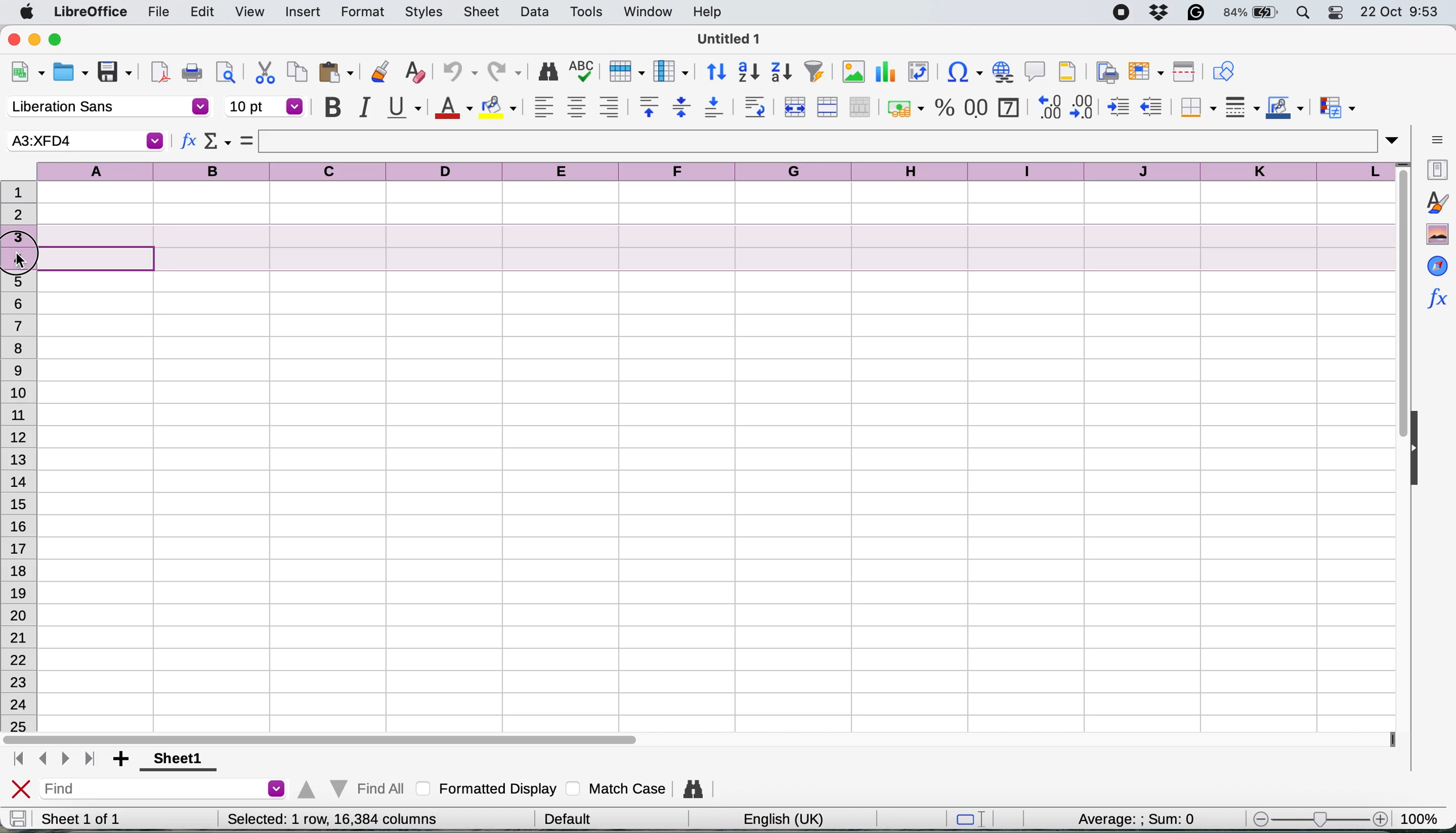 The width and height of the screenshot is (1456, 833). What do you see at coordinates (681, 106) in the screenshot?
I see `center vertically` at bounding box center [681, 106].